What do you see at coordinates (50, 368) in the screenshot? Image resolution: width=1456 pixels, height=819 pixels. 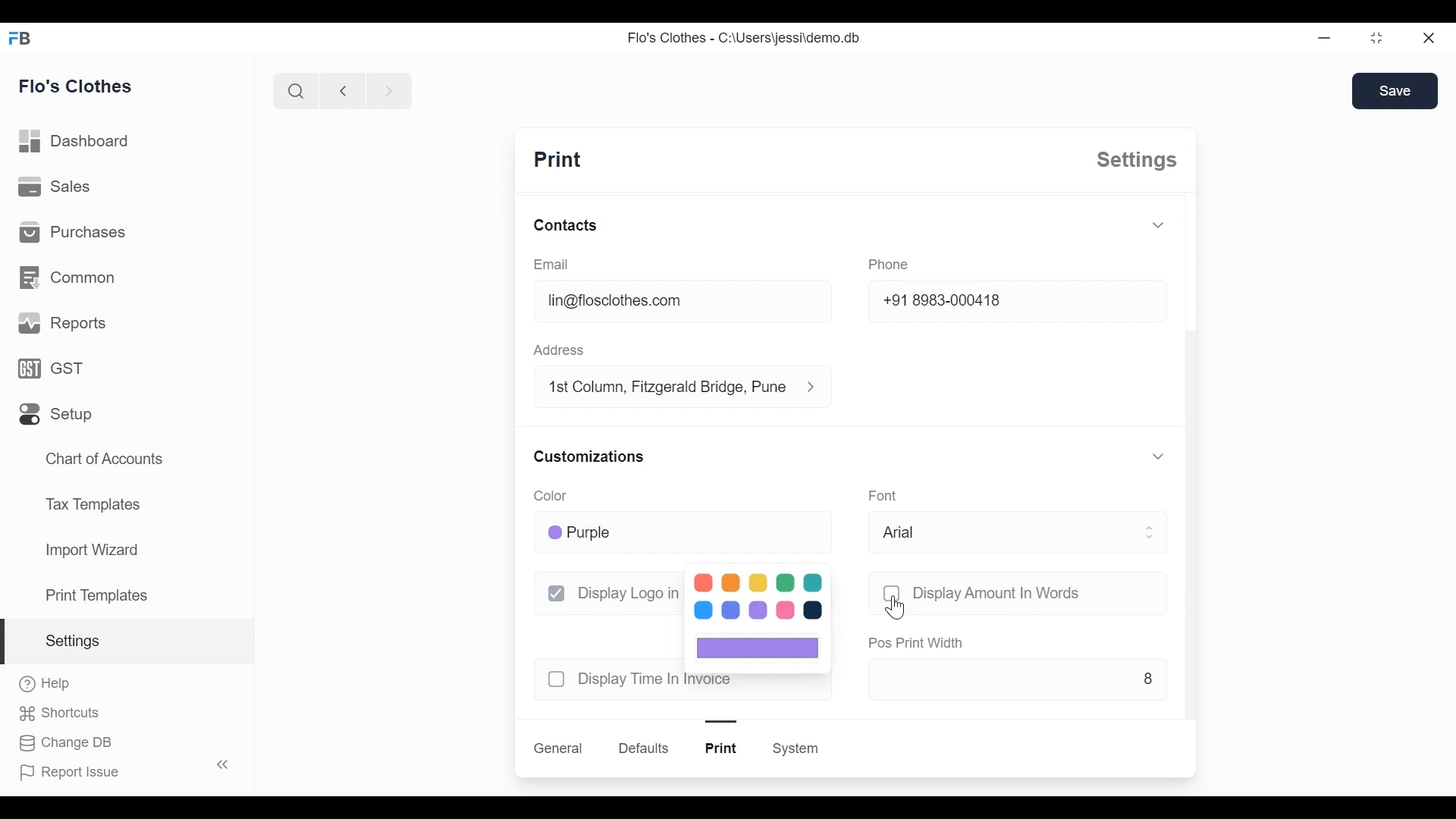 I see `GST` at bounding box center [50, 368].